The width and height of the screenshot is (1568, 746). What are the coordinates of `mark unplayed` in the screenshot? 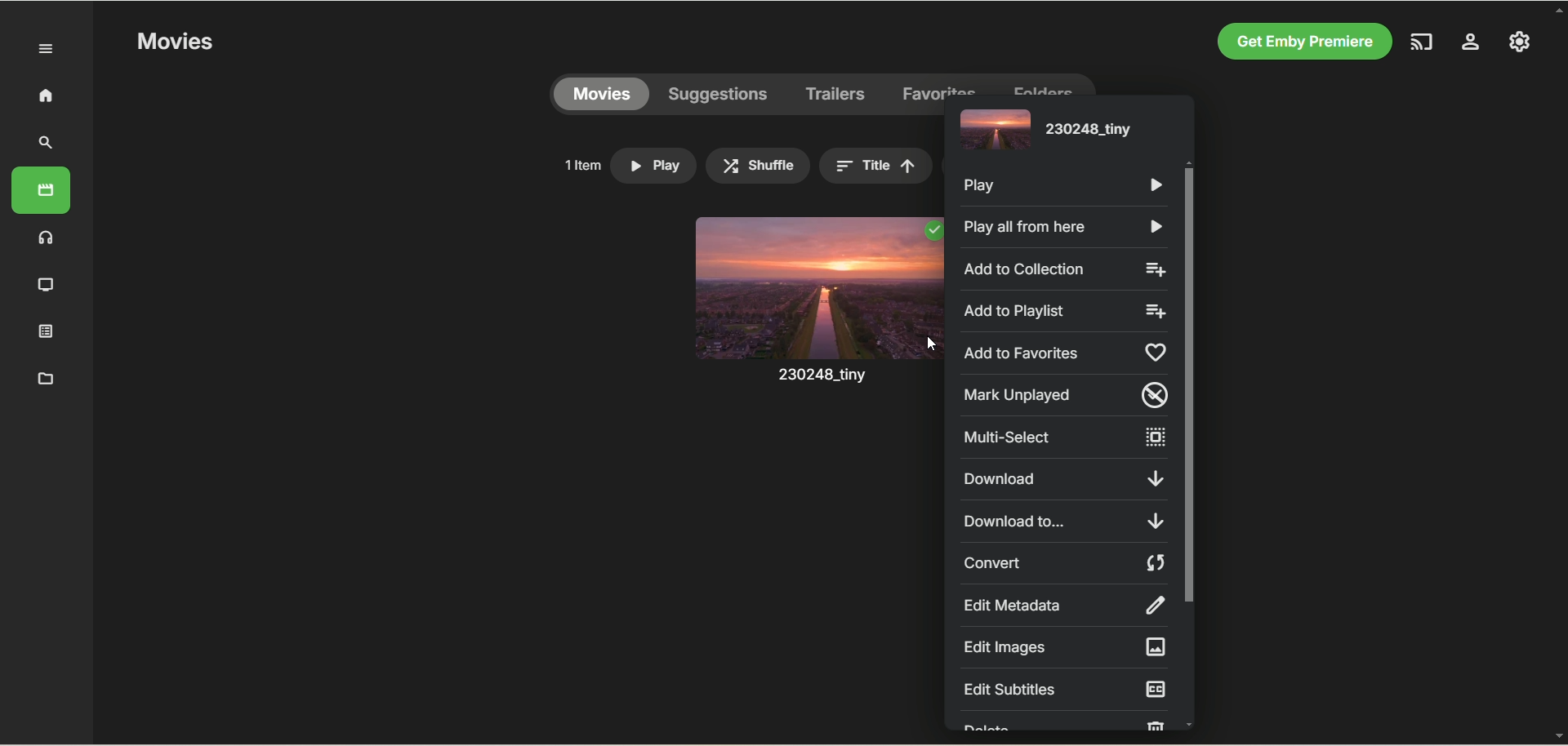 It's located at (1067, 396).